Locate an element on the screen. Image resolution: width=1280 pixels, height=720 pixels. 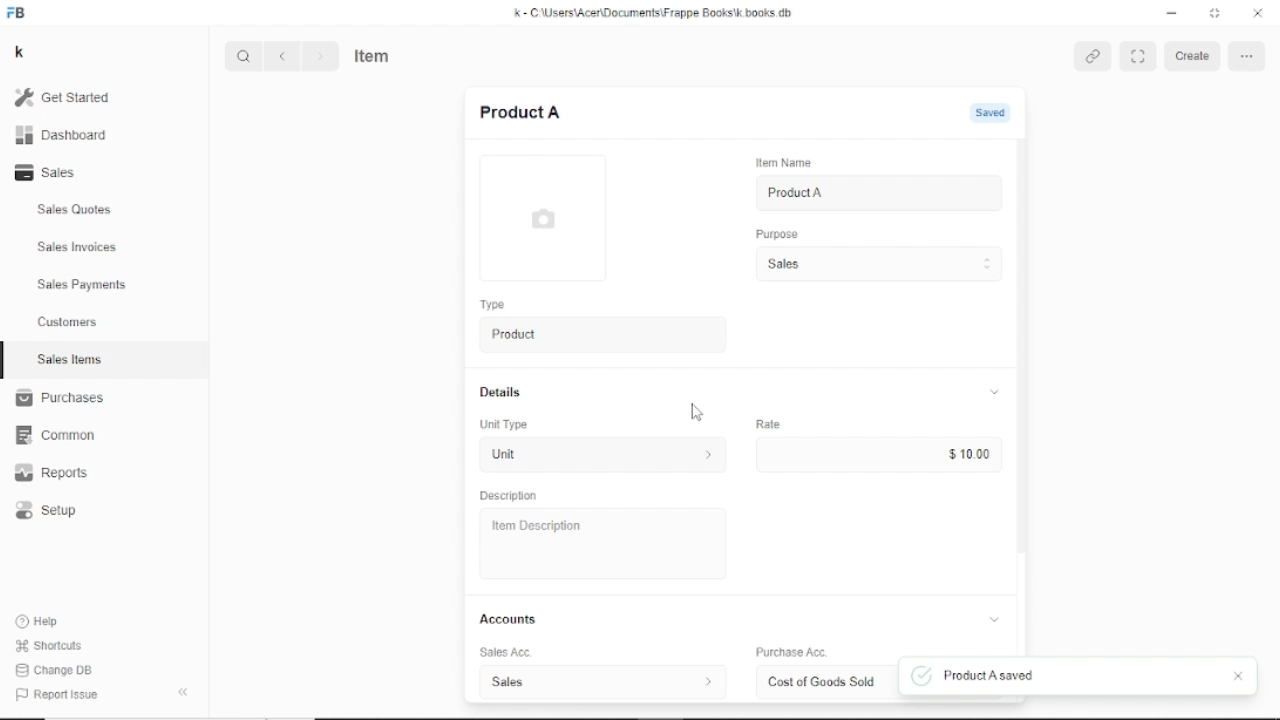
Shortcuts is located at coordinates (51, 647).